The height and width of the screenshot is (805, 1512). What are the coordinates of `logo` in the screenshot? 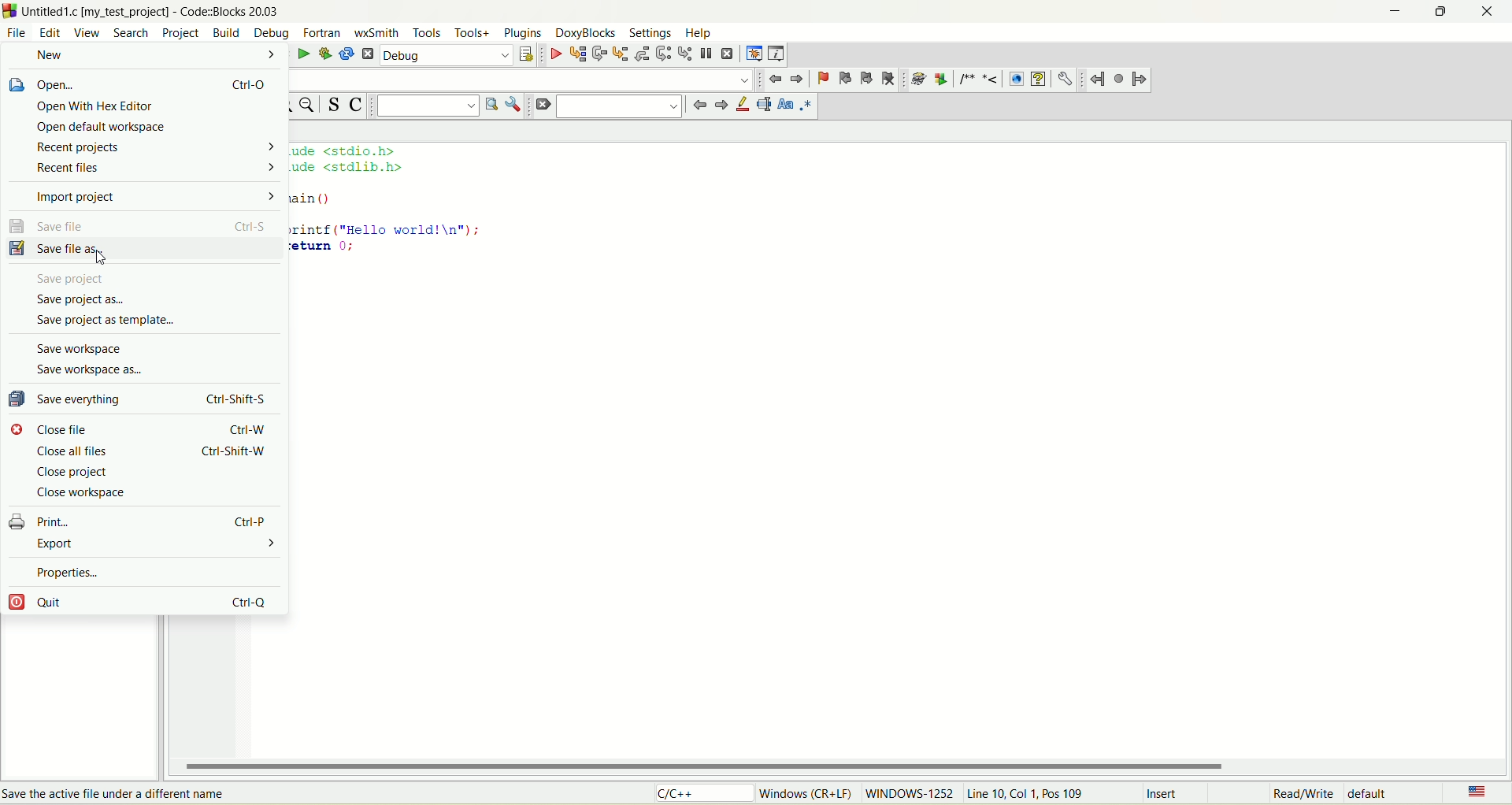 It's located at (9, 10).